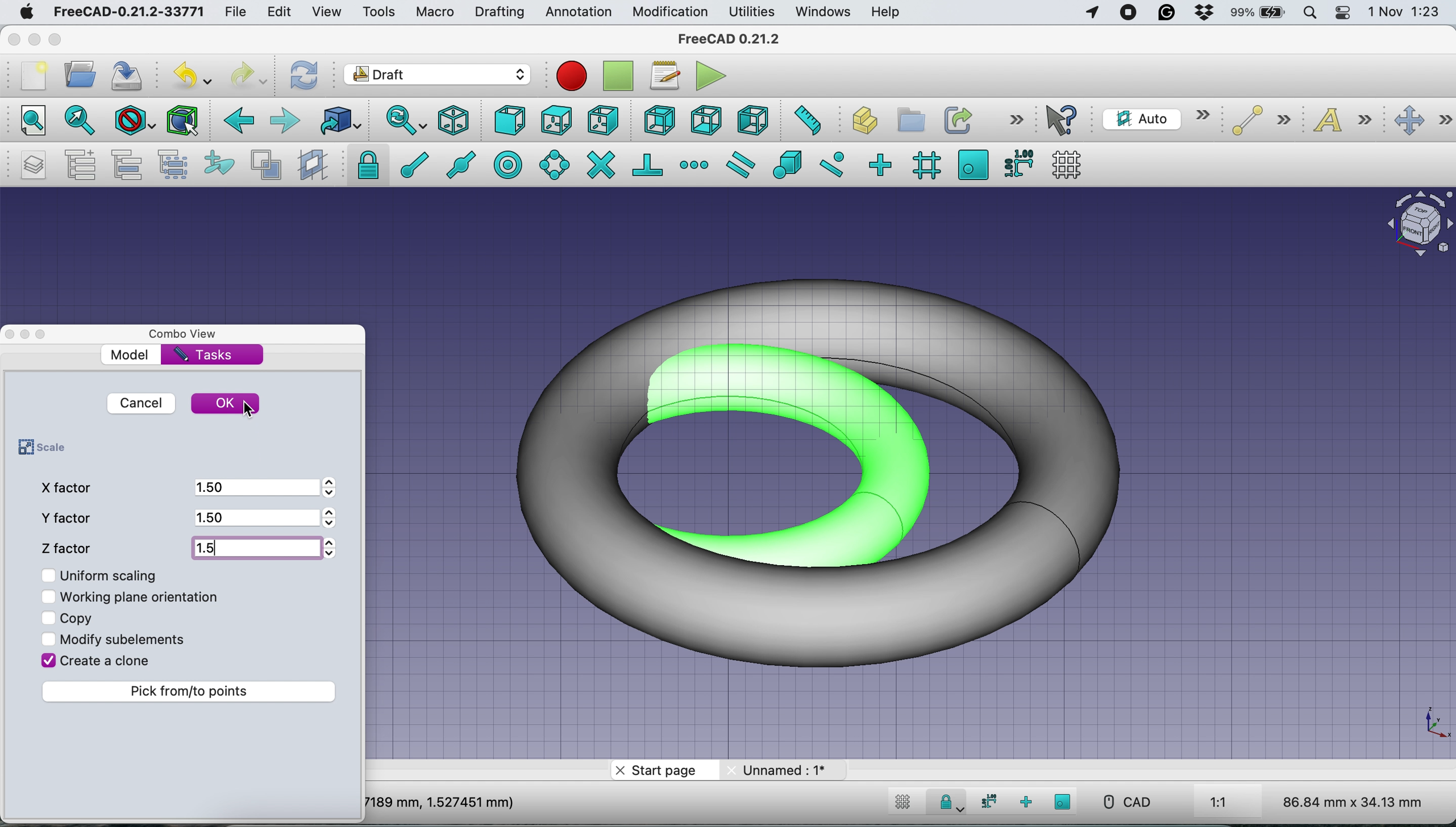  What do you see at coordinates (711, 76) in the screenshot?
I see `execute macros` at bounding box center [711, 76].